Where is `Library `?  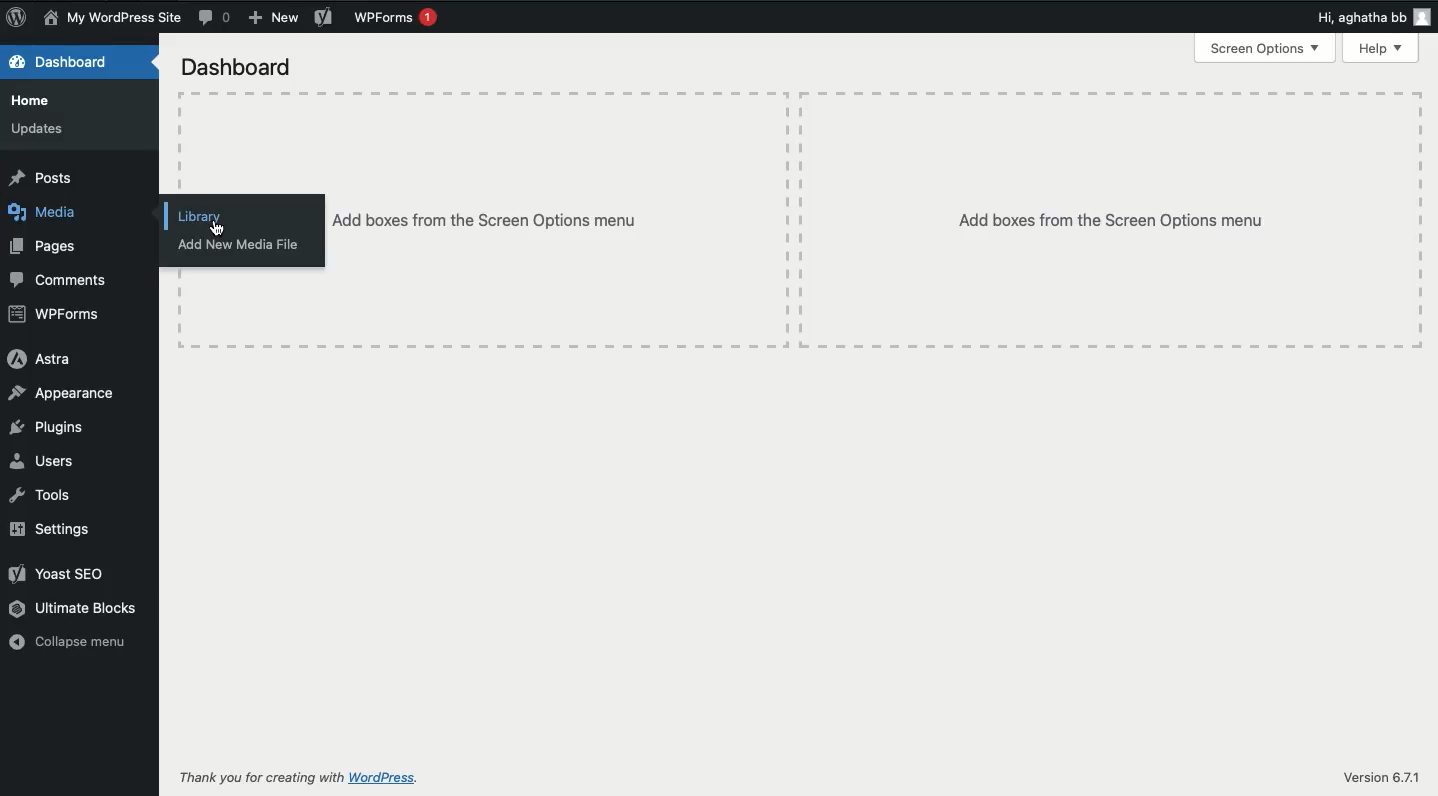 Library  is located at coordinates (201, 216).